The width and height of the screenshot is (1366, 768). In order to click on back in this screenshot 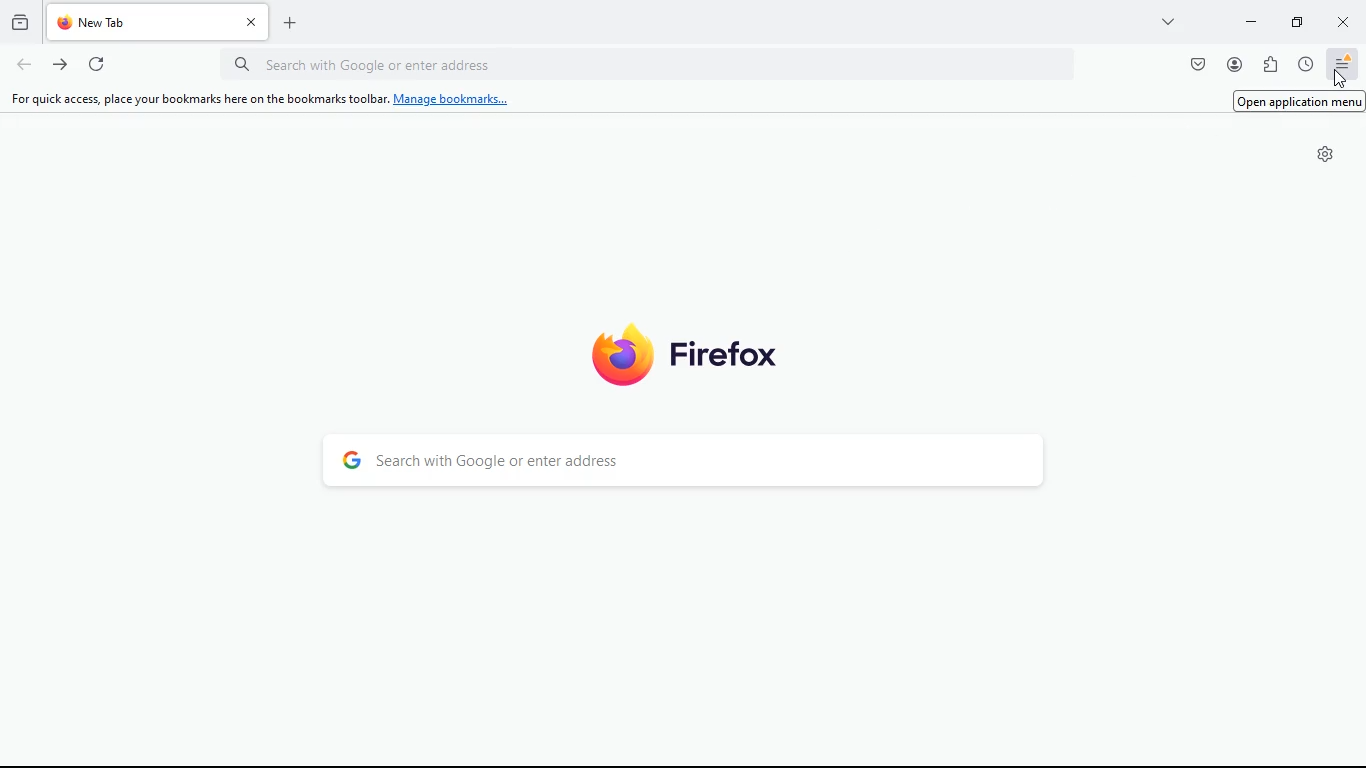, I will do `click(22, 65)`.